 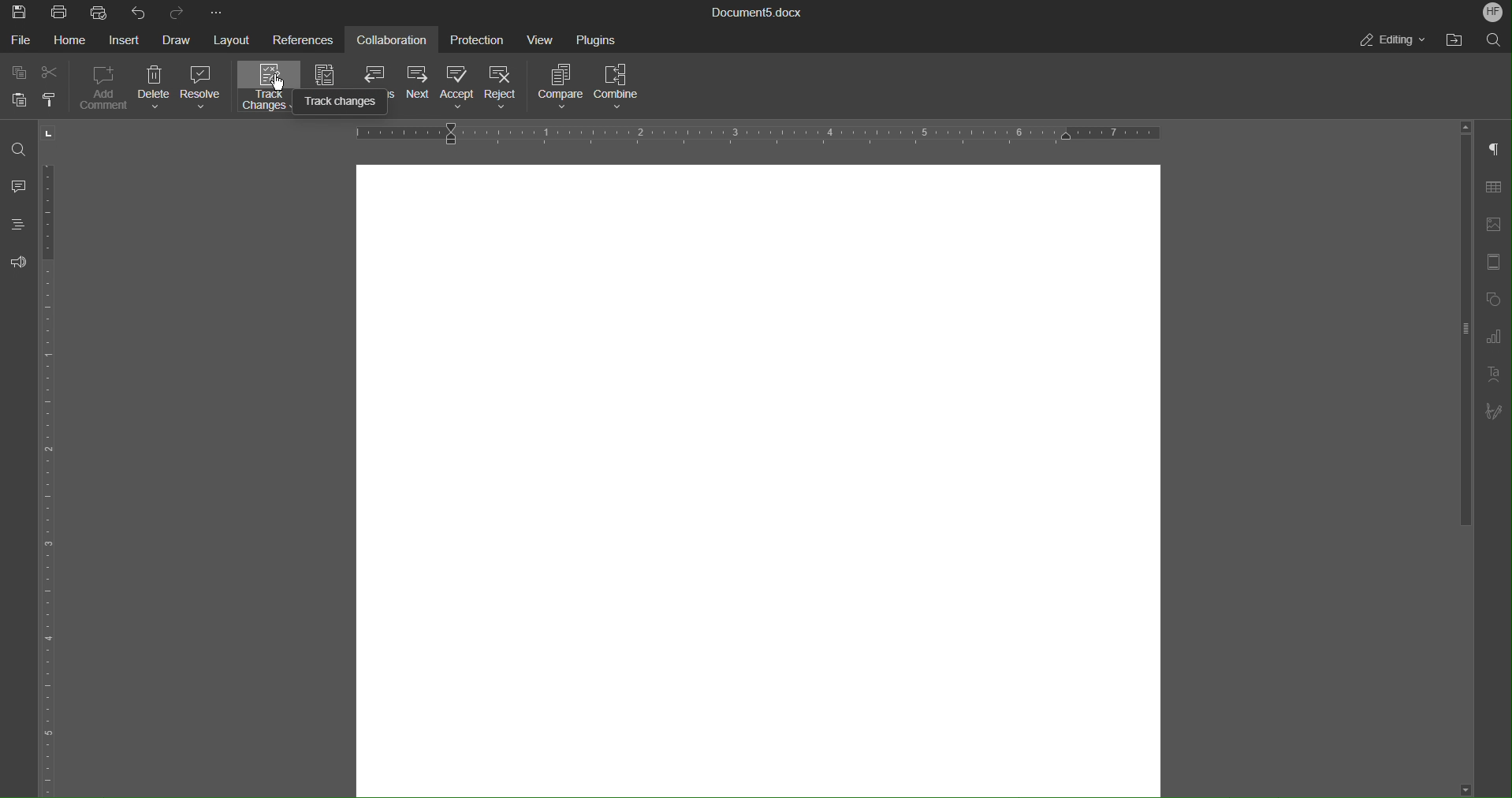 I want to click on Paragraph Settings, so click(x=1492, y=150).